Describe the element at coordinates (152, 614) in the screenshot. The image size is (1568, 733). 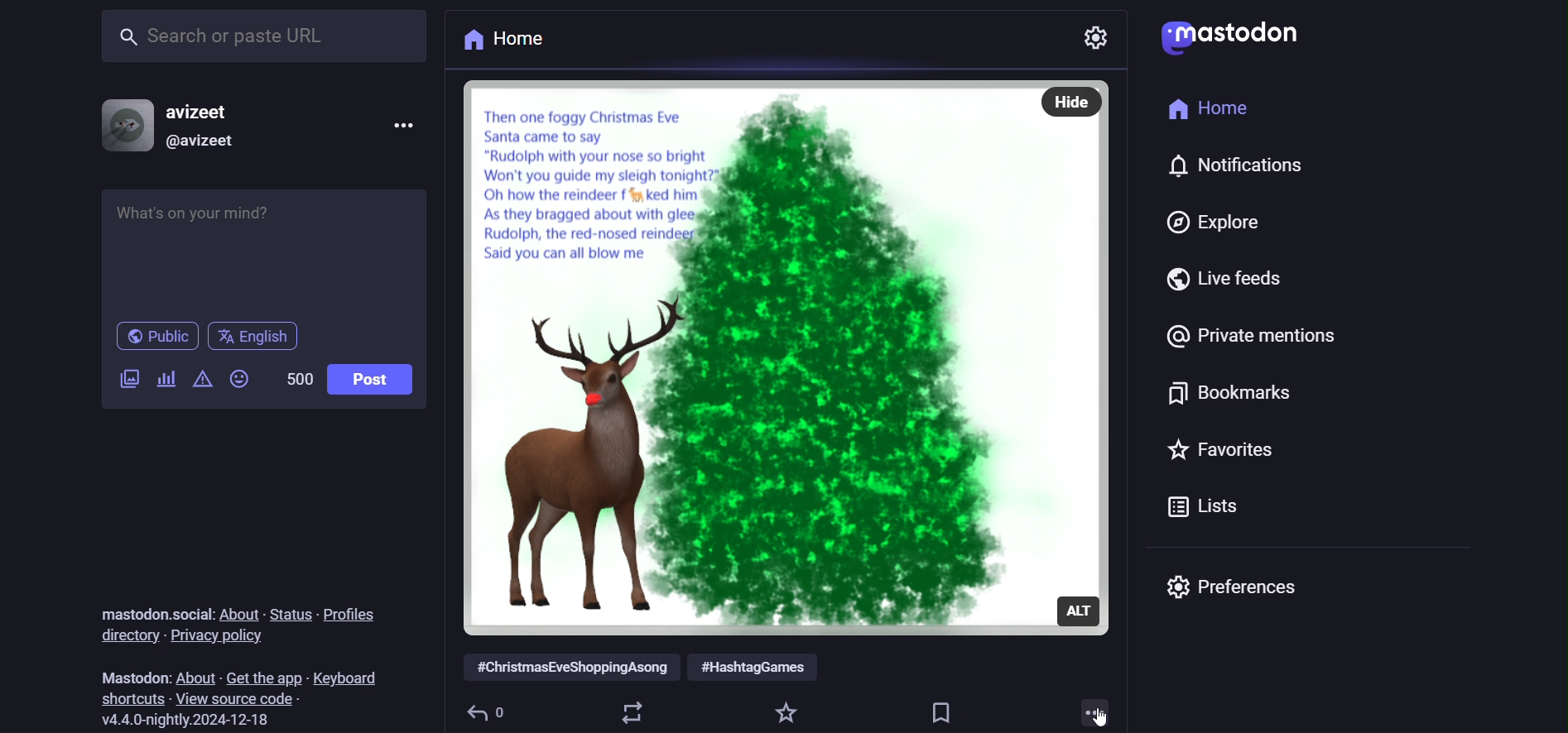
I see `mastodon social` at that location.